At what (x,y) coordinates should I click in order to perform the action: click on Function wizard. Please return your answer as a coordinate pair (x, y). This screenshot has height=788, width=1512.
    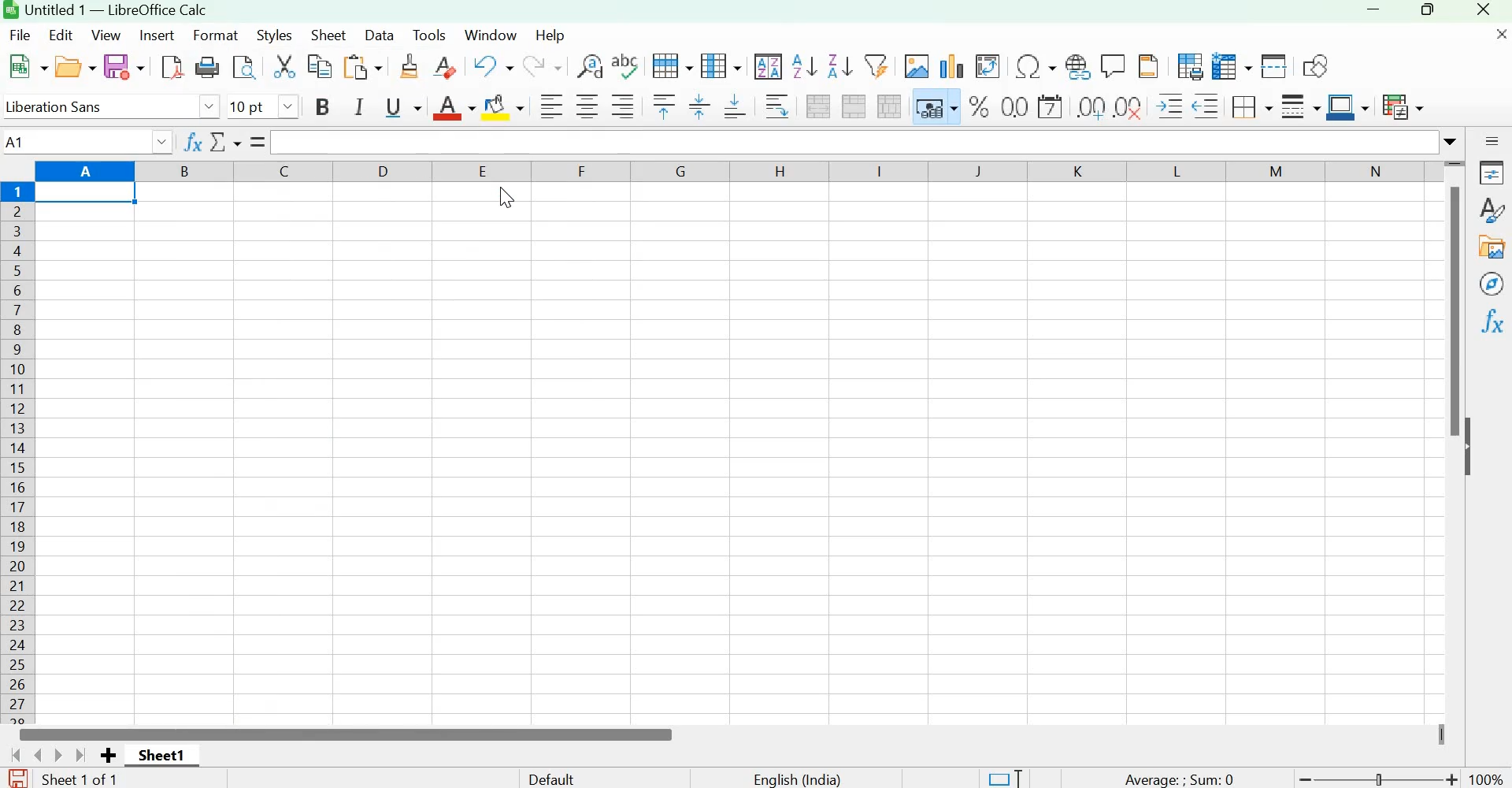
    Looking at the image, I should click on (195, 140).